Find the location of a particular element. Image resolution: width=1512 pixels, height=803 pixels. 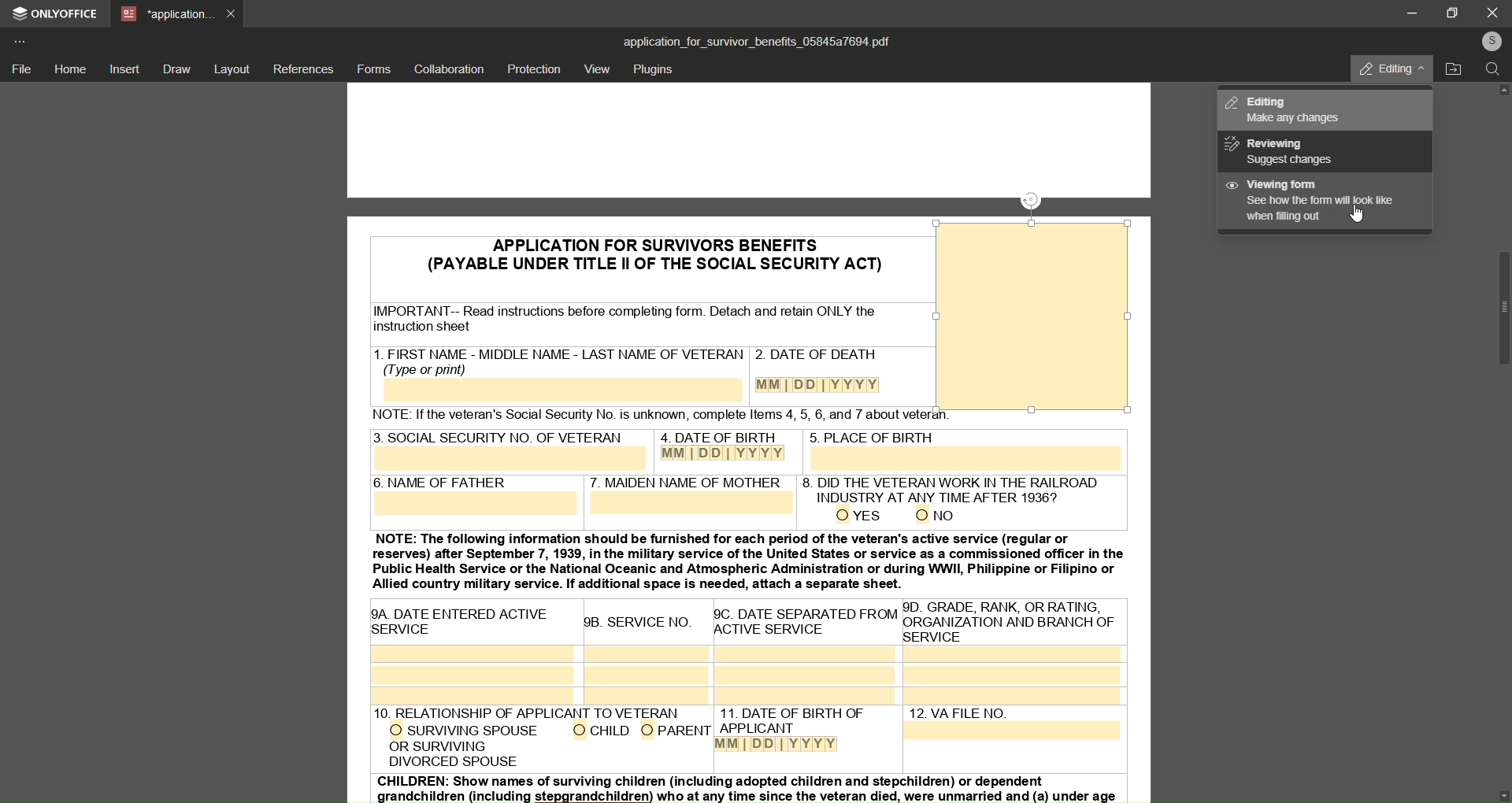

user is located at coordinates (1490, 41).